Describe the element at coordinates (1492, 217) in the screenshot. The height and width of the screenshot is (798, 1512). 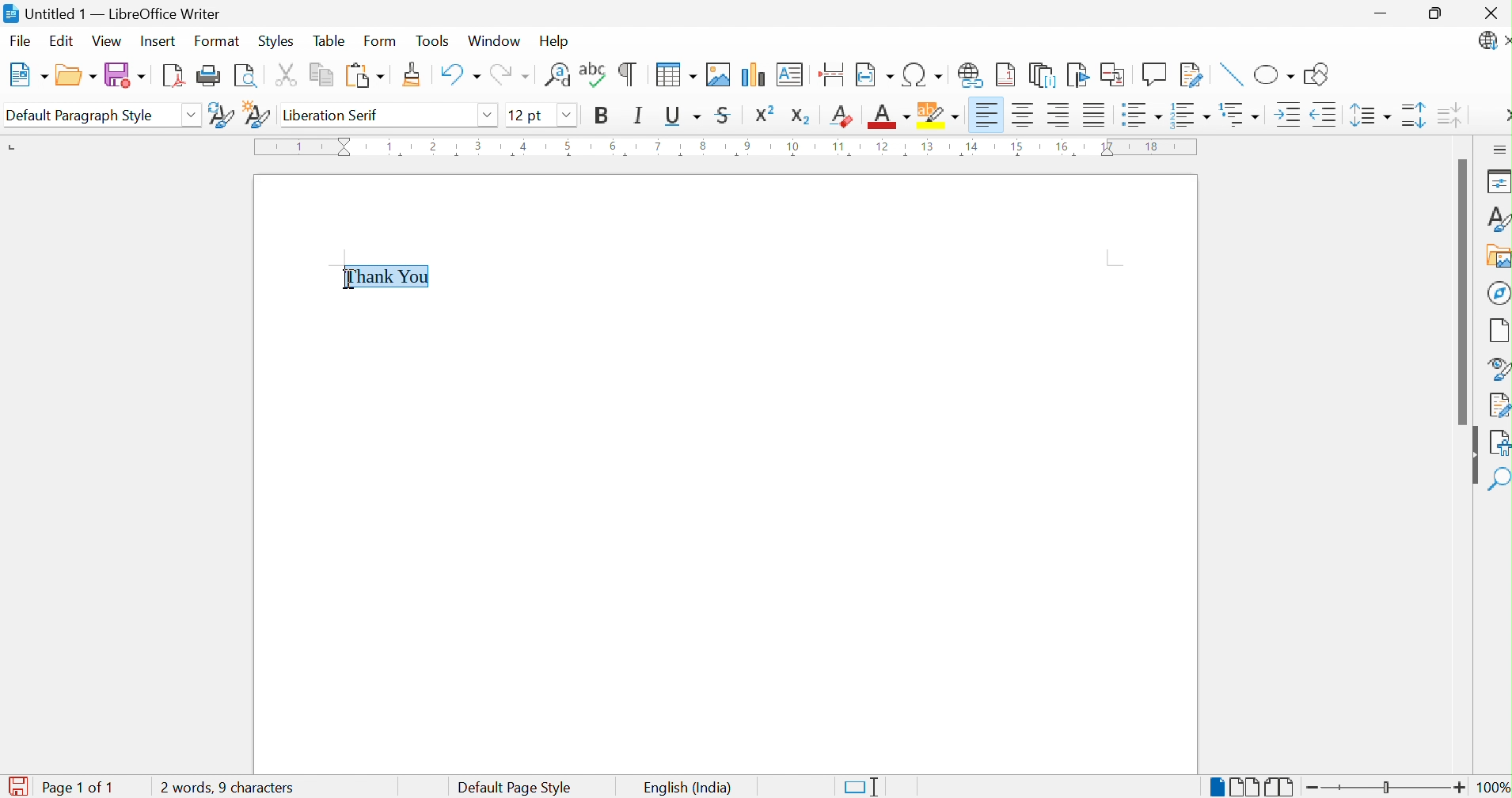
I see `Styles` at that location.